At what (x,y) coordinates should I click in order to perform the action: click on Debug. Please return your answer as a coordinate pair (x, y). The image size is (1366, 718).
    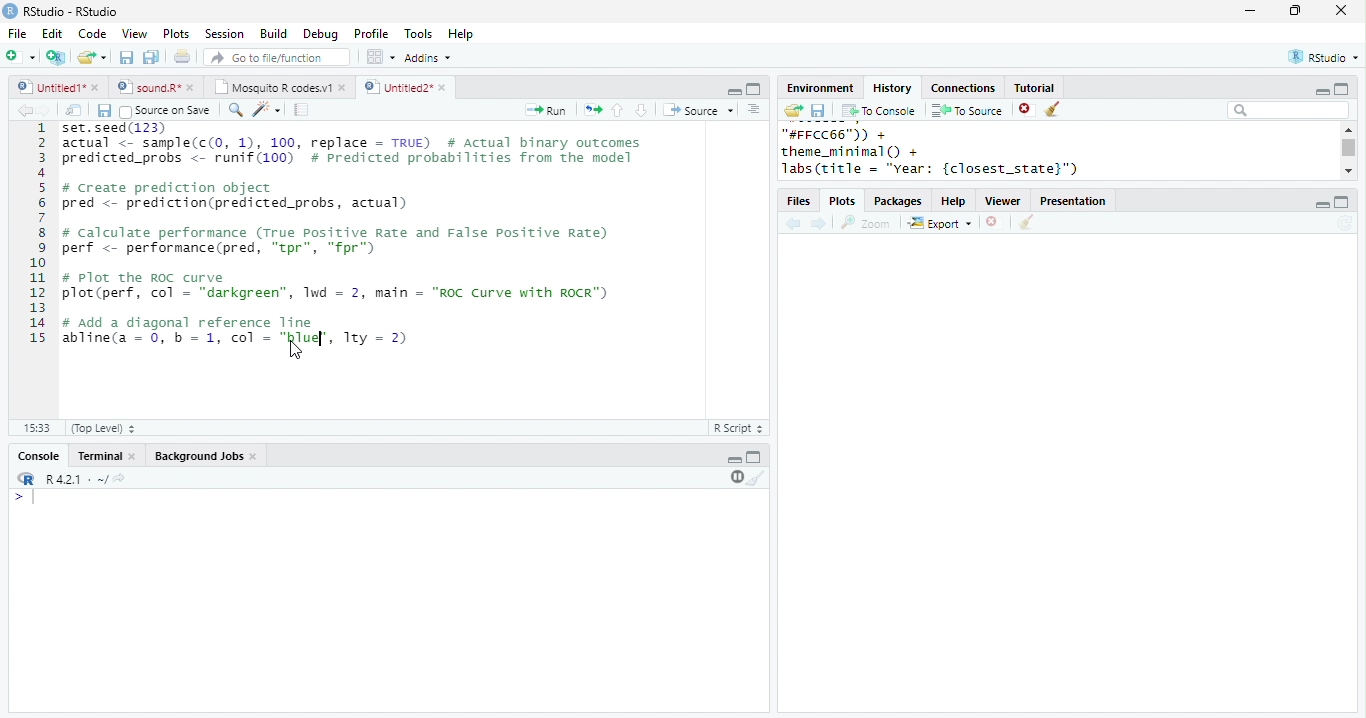
    Looking at the image, I should click on (323, 35).